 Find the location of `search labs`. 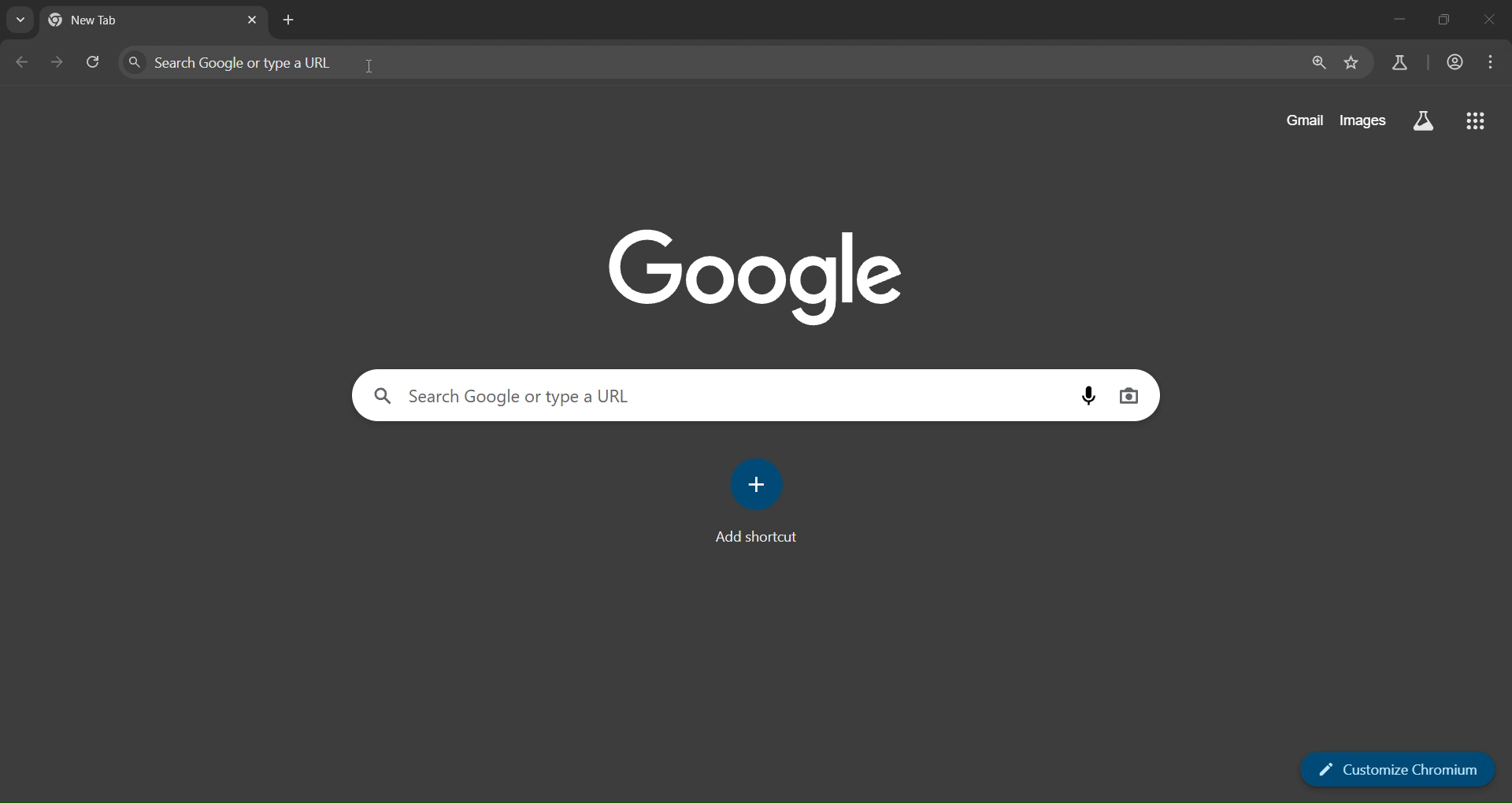

search labs is located at coordinates (1425, 124).